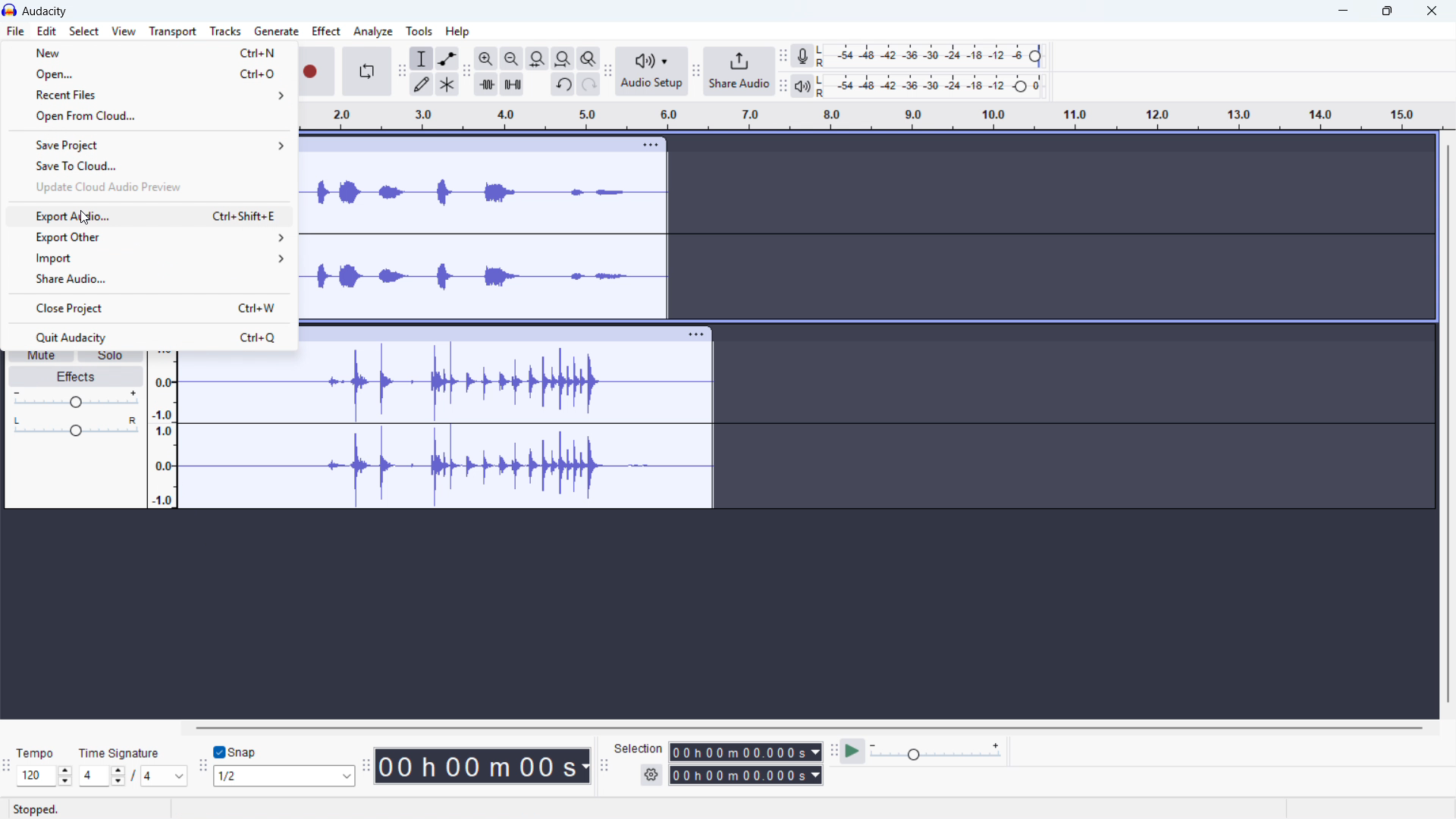 This screenshot has height=819, width=1456. What do you see at coordinates (485, 244) in the screenshot?
I see `audio 1 wave form` at bounding box center [485, 244].